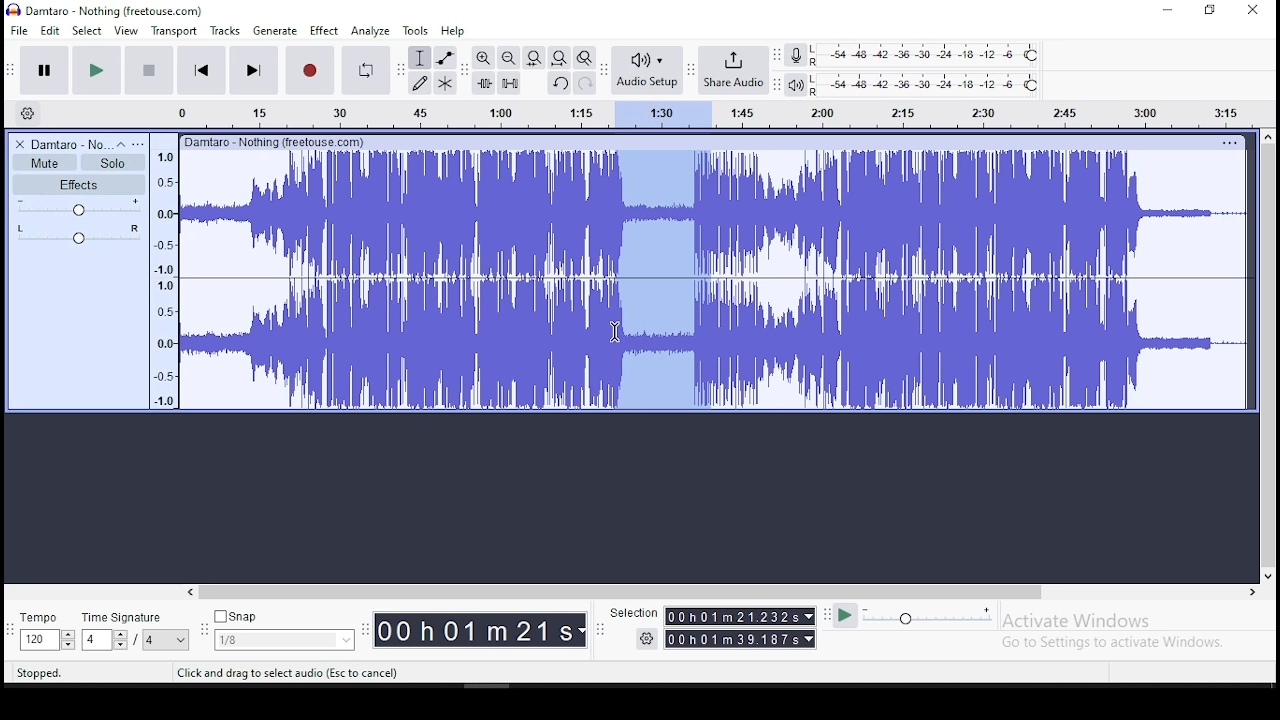 The width and height of the screenshot is (1280, 720). What do you see at coordinates (510, 83) in the screenshot?
I see `silence audio signal` at bounding box center [510, 83].